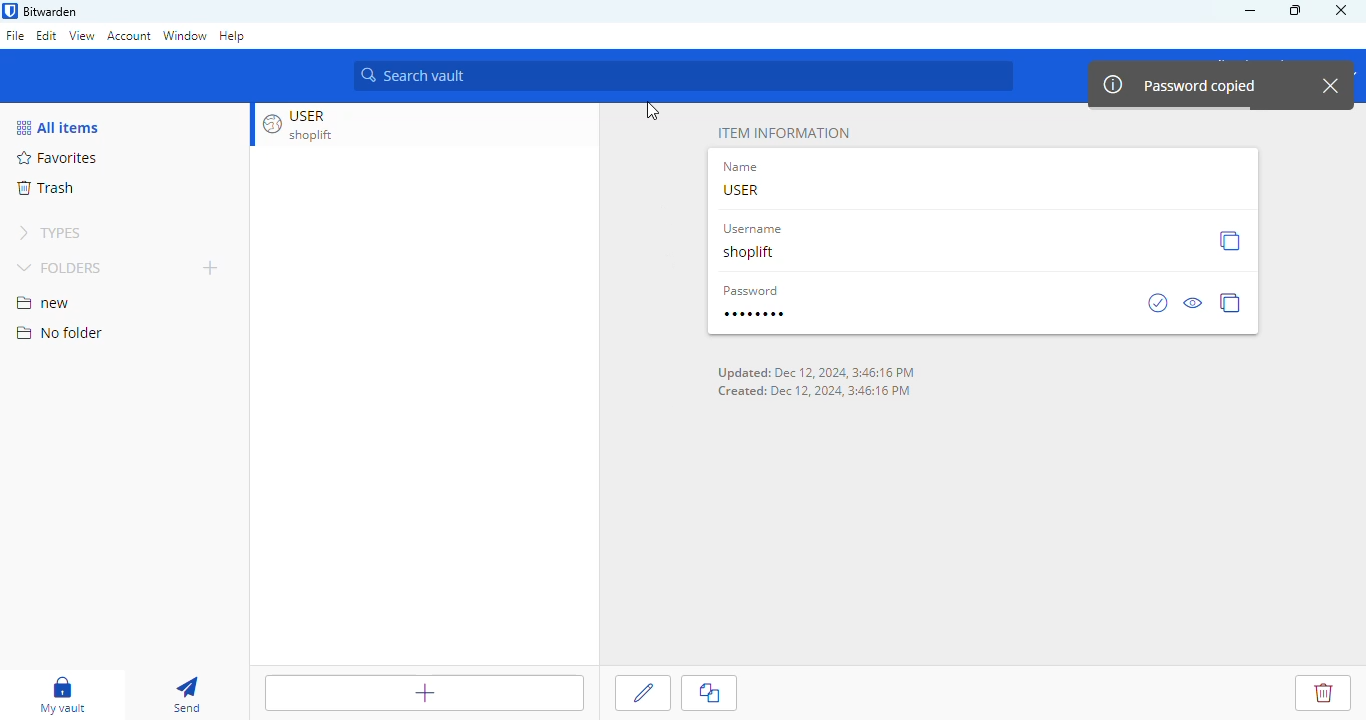 The height and width of the screenshot is (720, 1366). I want to click on view, so click(81, 35).